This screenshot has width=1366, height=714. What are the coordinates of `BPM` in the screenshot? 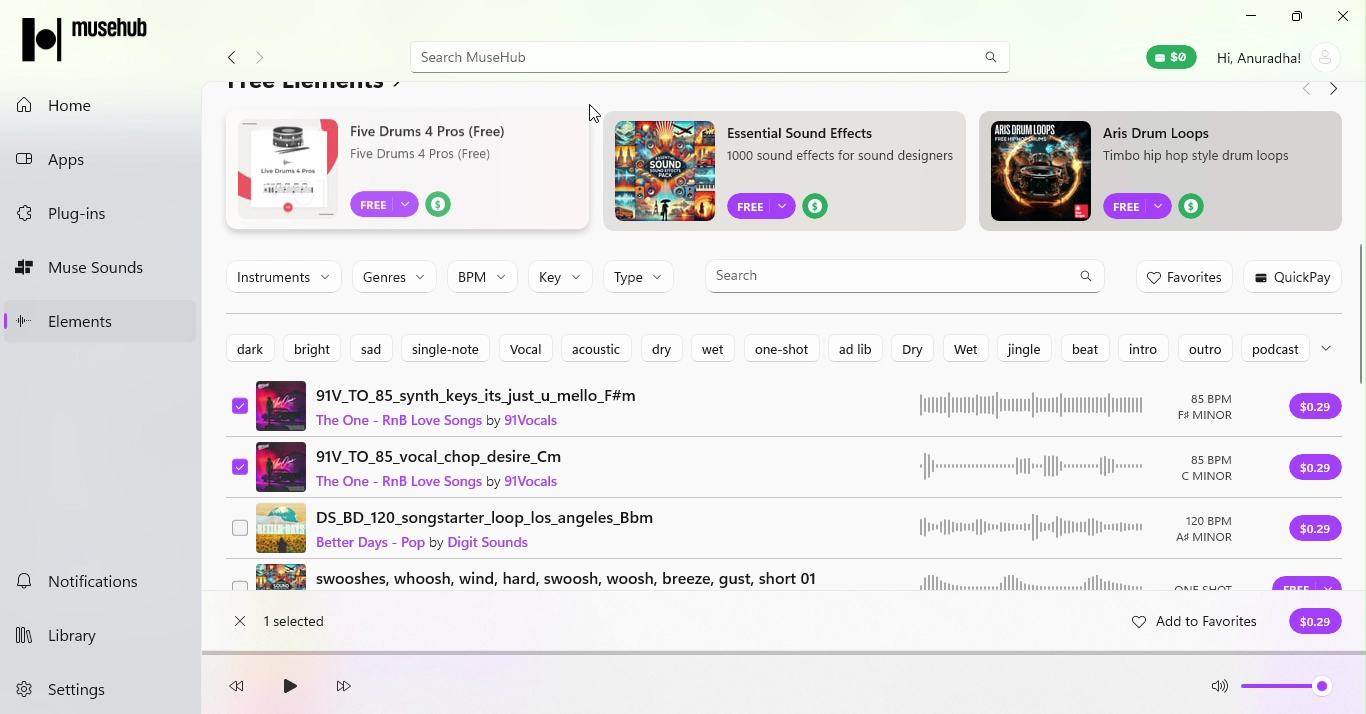 It's located at (482, 277).